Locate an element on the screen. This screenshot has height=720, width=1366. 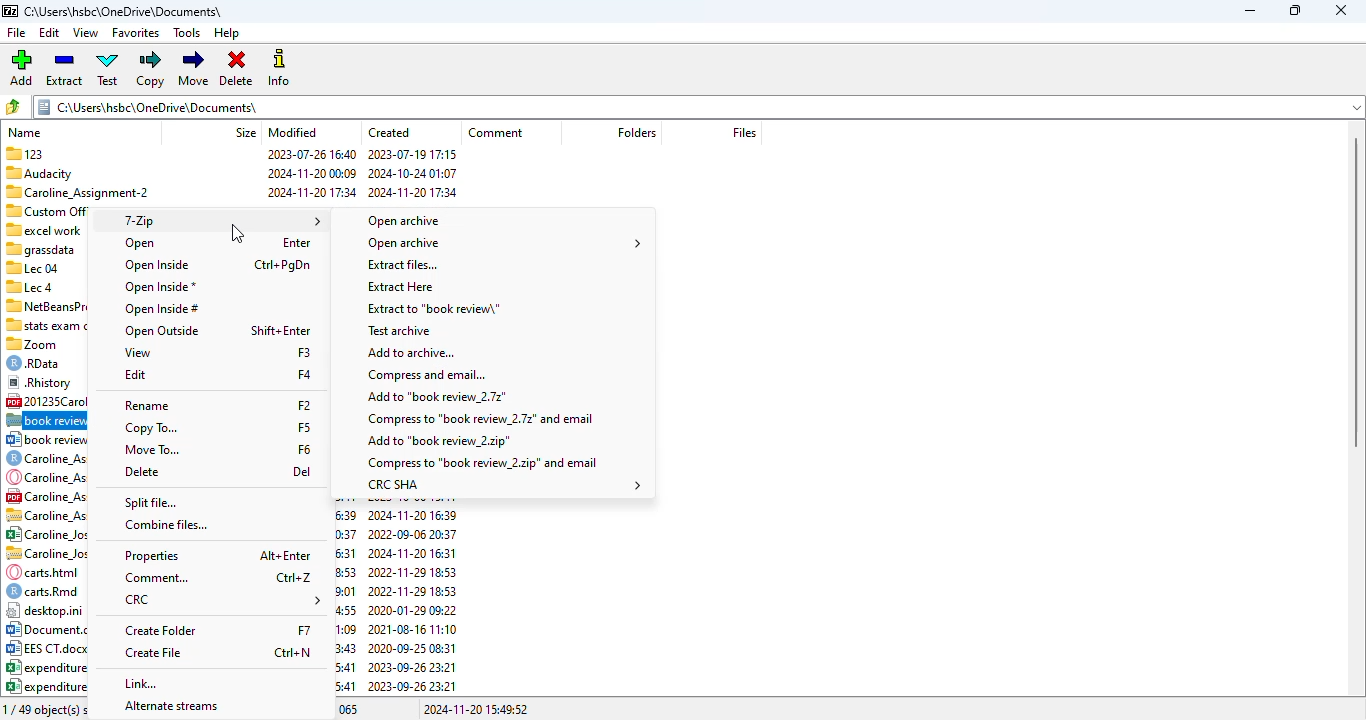
shortcut for open outside is located at coordinates (280, 331).